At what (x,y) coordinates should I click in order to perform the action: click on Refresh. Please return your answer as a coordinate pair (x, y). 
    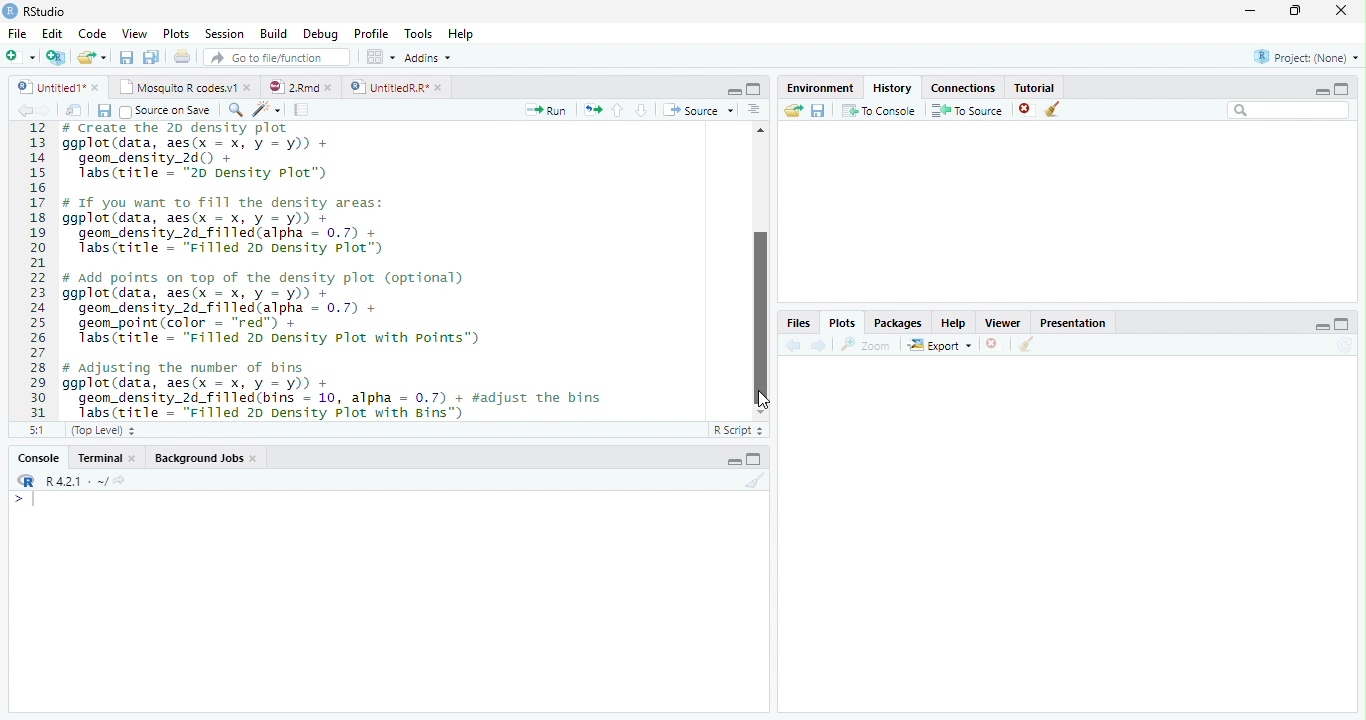
    Looking at the image, I should click on (1348, 345).